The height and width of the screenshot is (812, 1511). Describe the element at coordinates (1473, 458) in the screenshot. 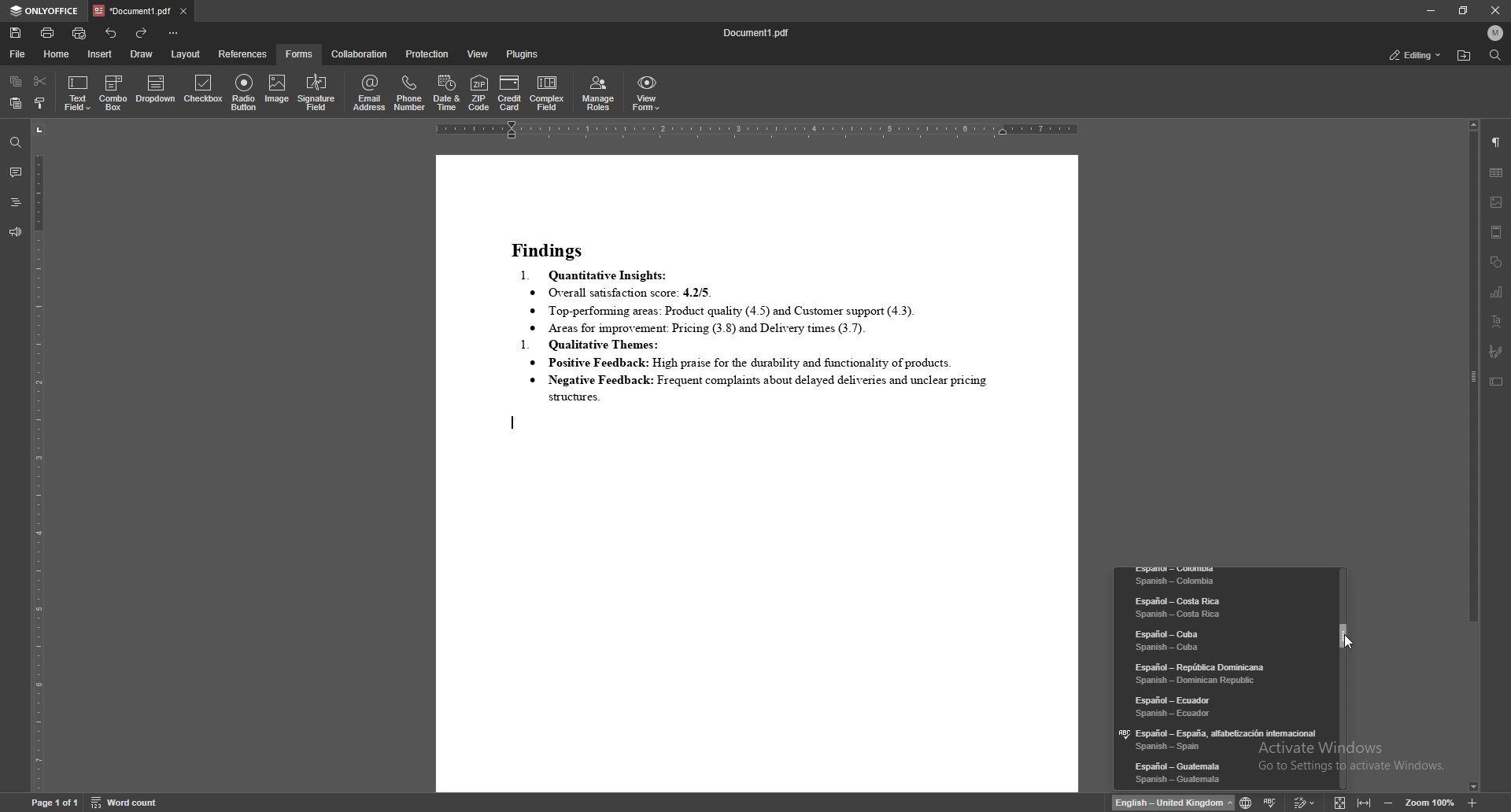

I see `scroll bar` at that location.